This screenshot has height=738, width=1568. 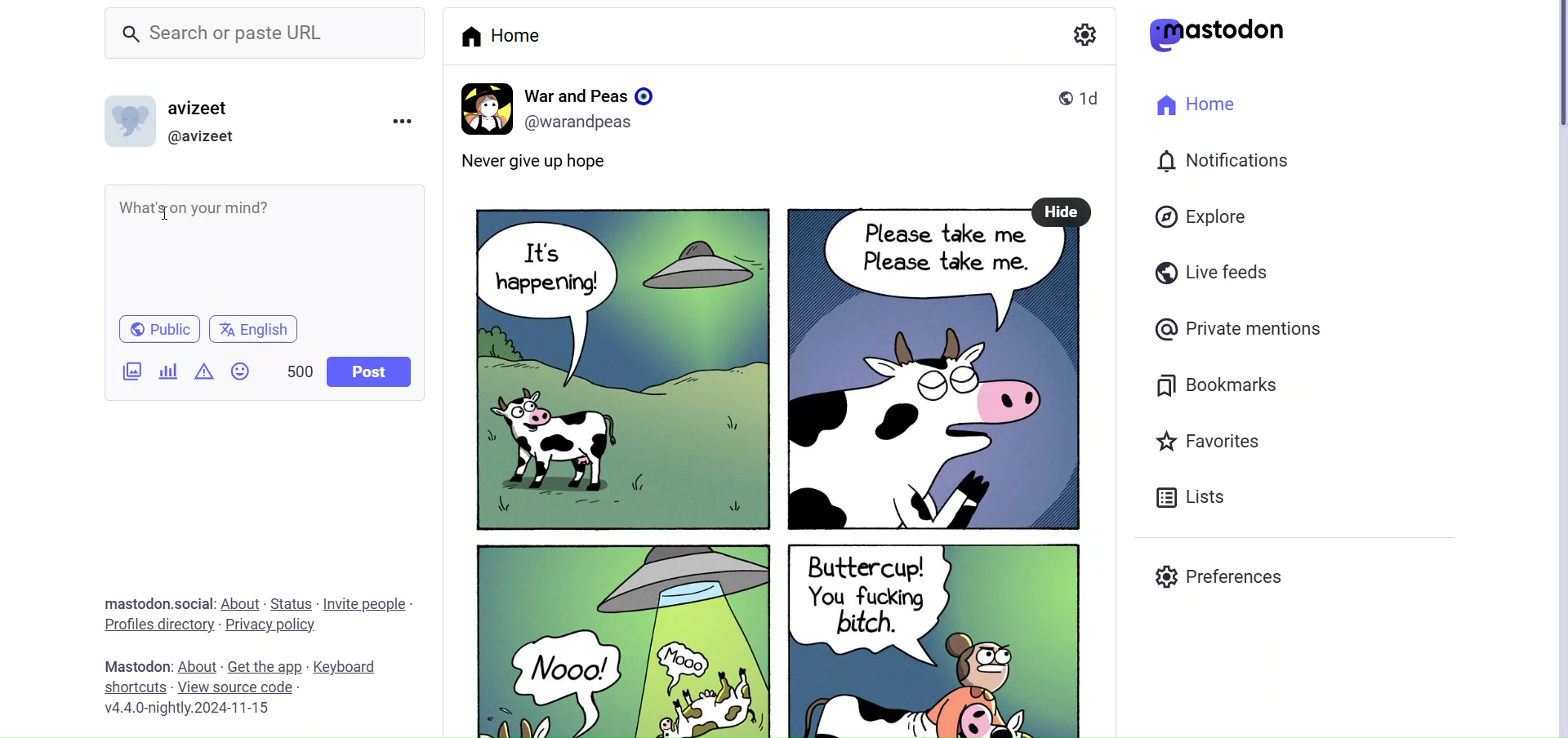 I want to click on avizeet, so click(x=202, y=107).